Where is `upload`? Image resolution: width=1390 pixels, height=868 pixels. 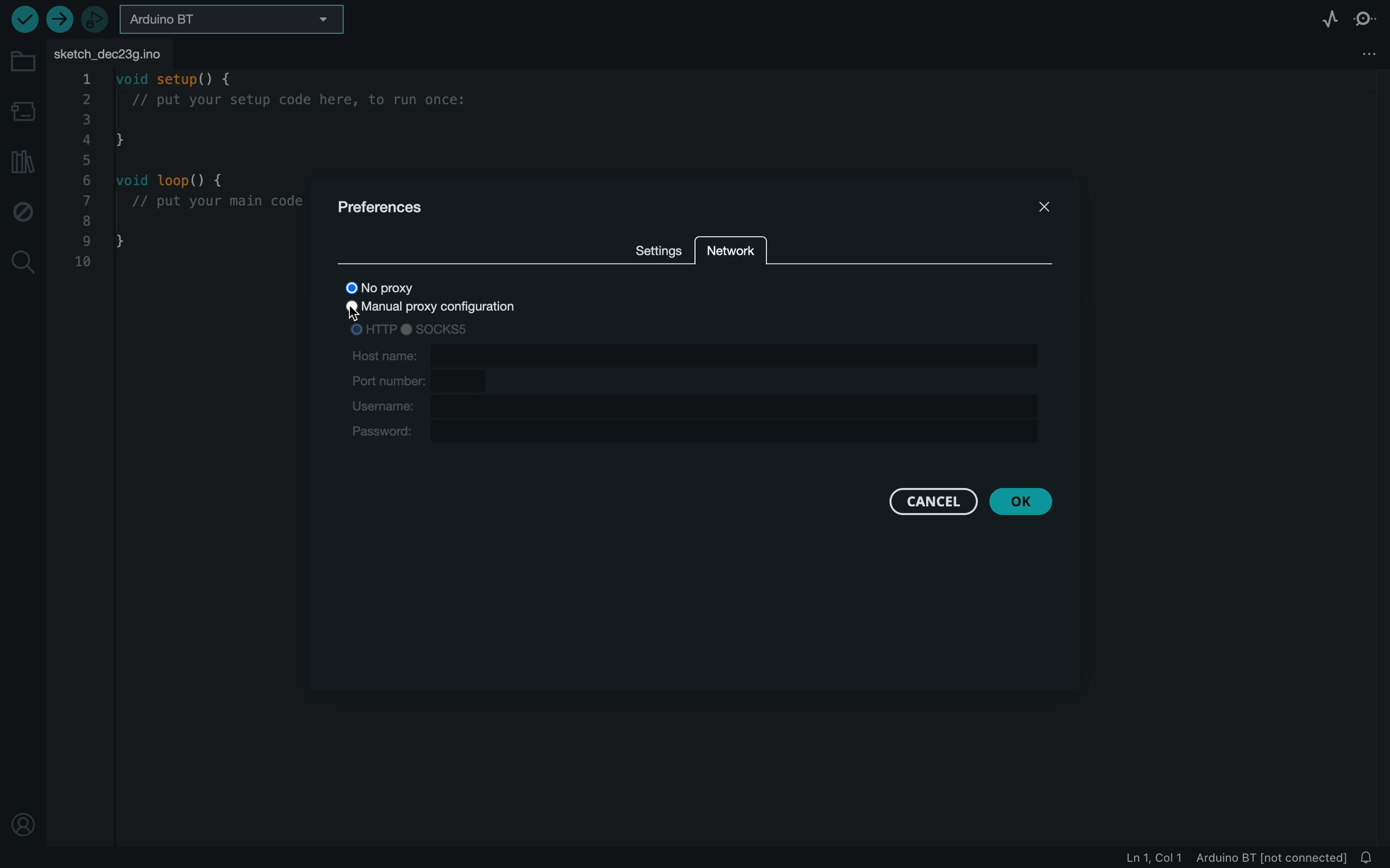 upload is located at coordinates (59, 18).